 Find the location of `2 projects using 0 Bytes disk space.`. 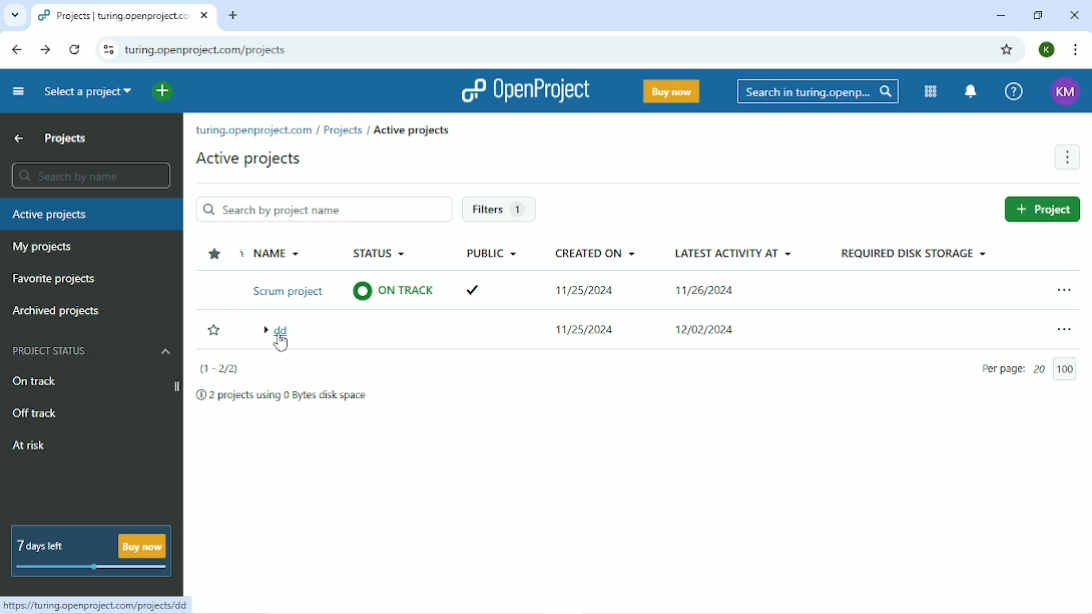

2 projects using 0 Bytes disk space. is located at coordinates (284, 396).